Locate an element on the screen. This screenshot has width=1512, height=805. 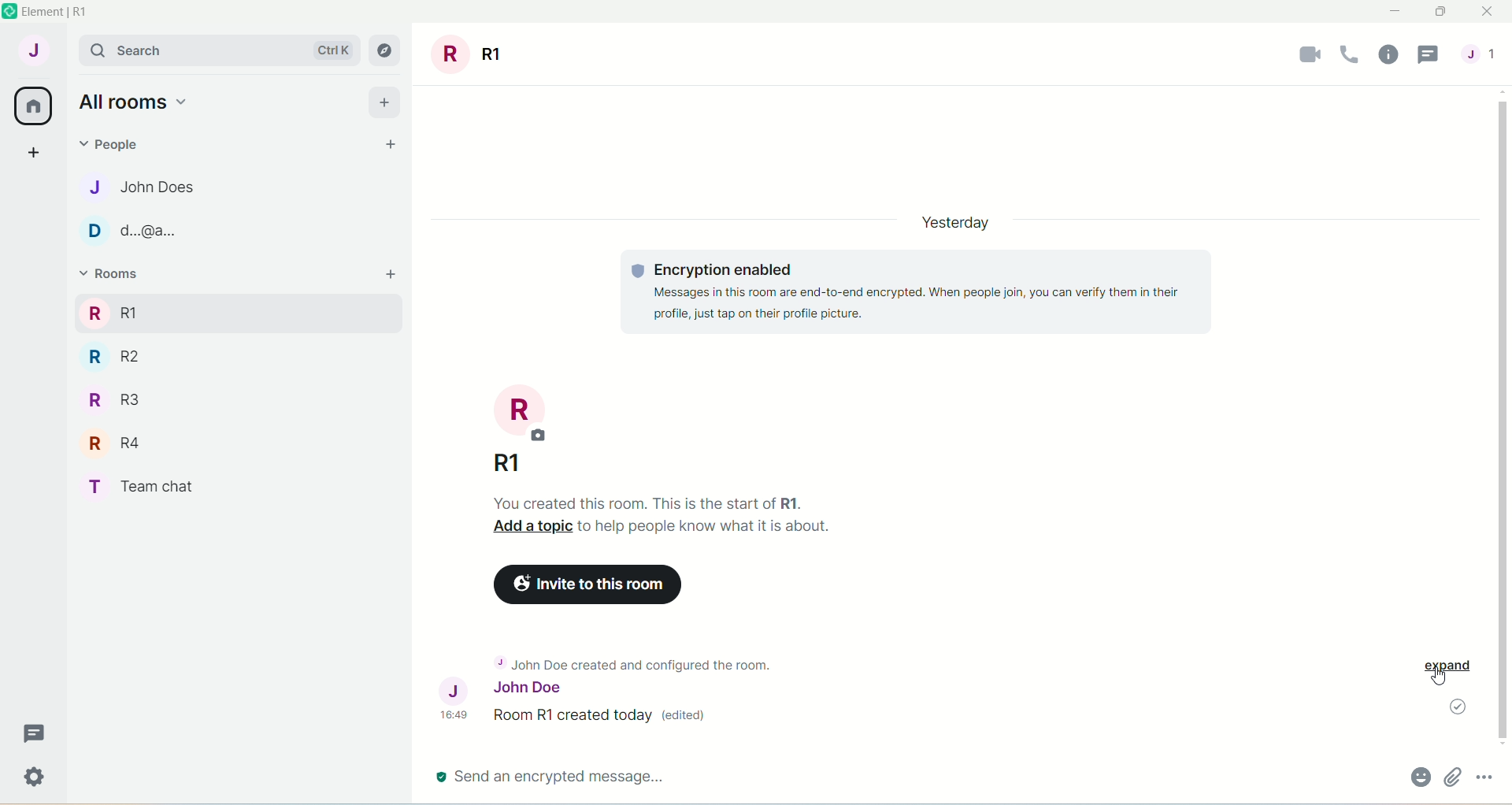
J 16:49 is located at coordinates (454, 701).